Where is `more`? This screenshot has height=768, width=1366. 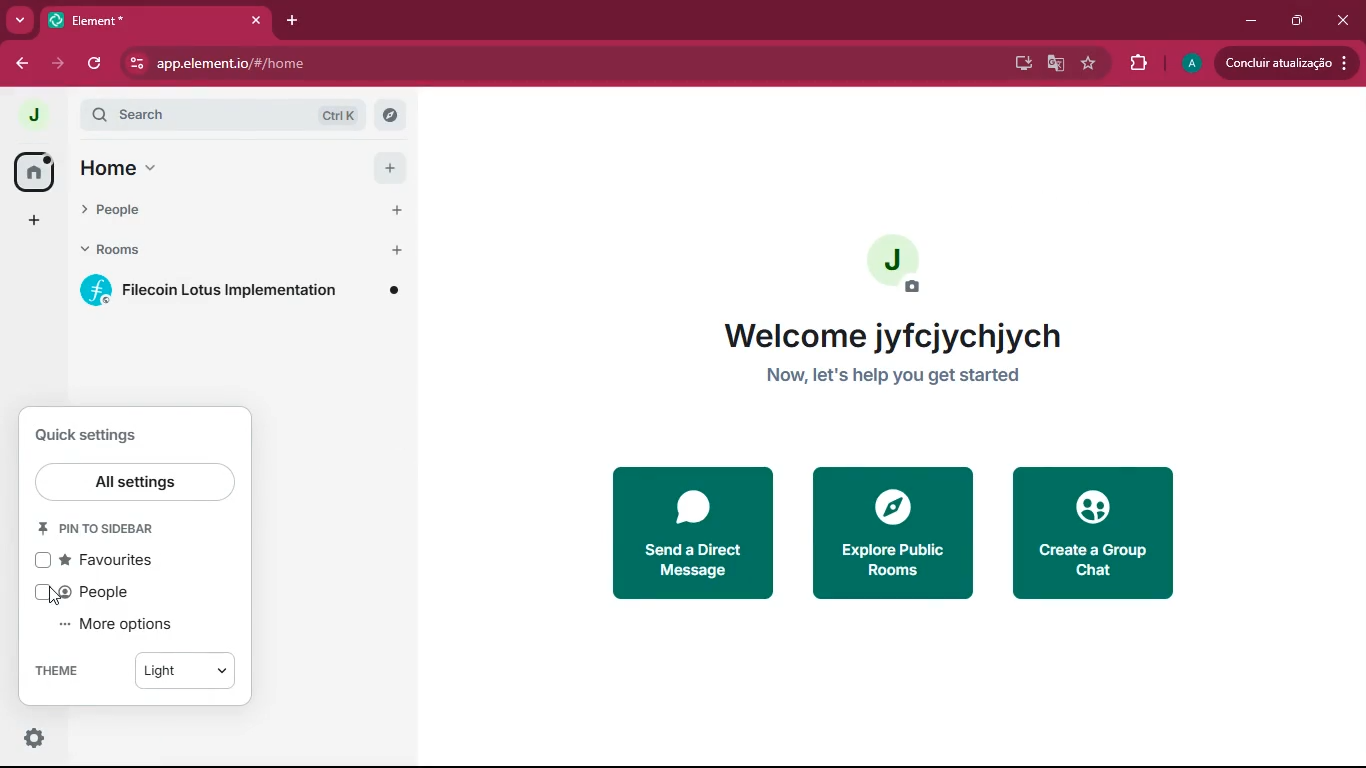
more is located at coordinates (34, 220).